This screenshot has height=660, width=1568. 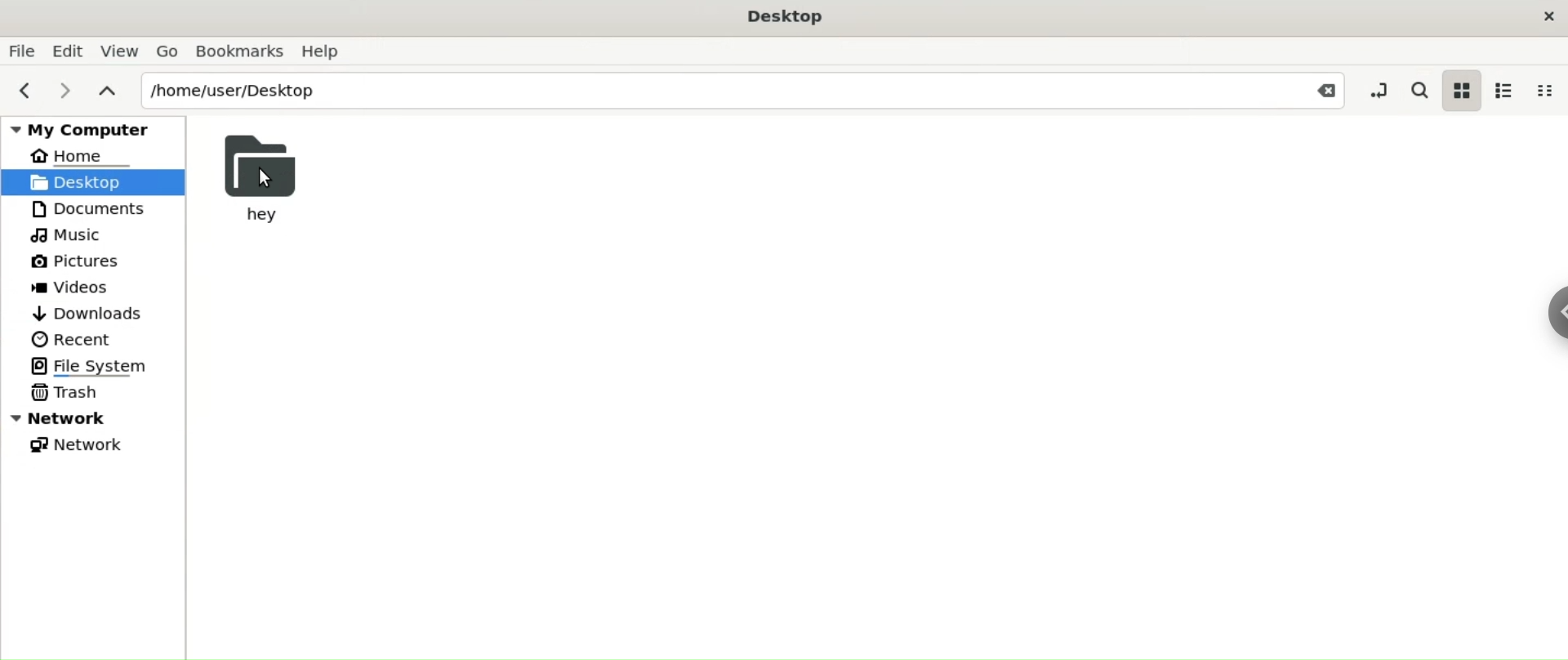 I want to click on compact view, so click(x=1549, y=92).